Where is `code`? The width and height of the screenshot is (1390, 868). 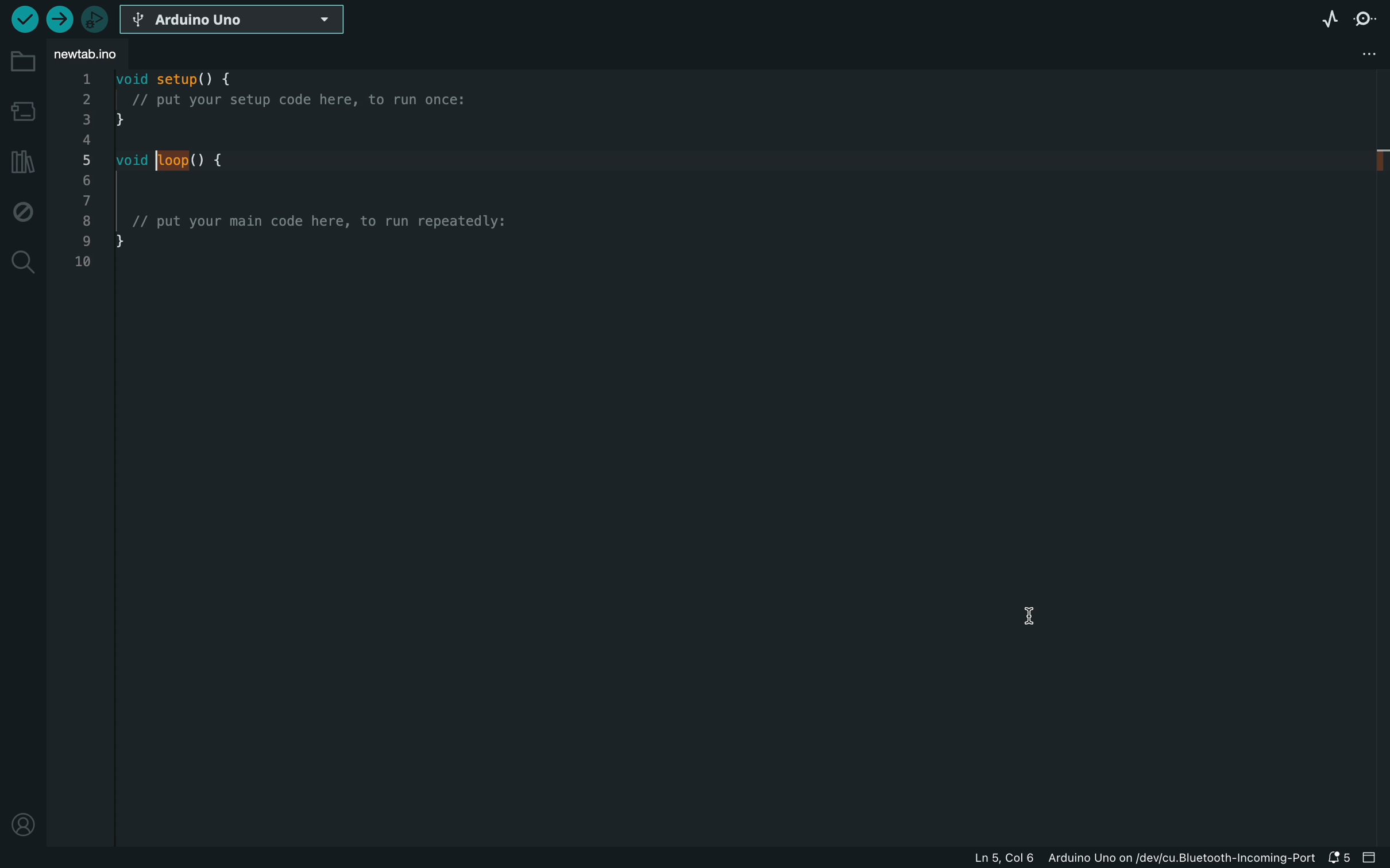 code is located at coordinates (308, 176).